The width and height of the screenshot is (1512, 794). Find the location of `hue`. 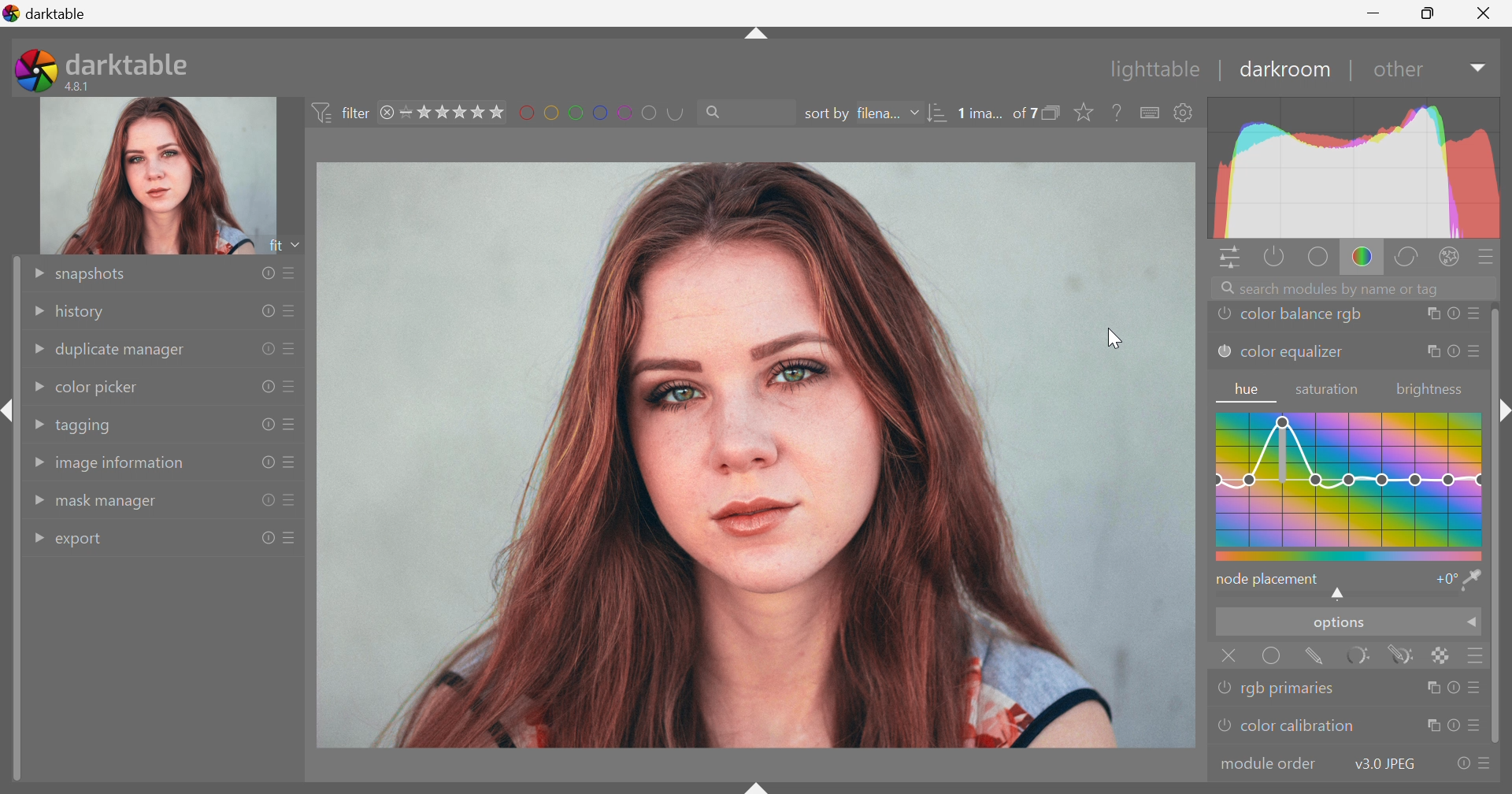

hue is located at coordinates (1248, 390).